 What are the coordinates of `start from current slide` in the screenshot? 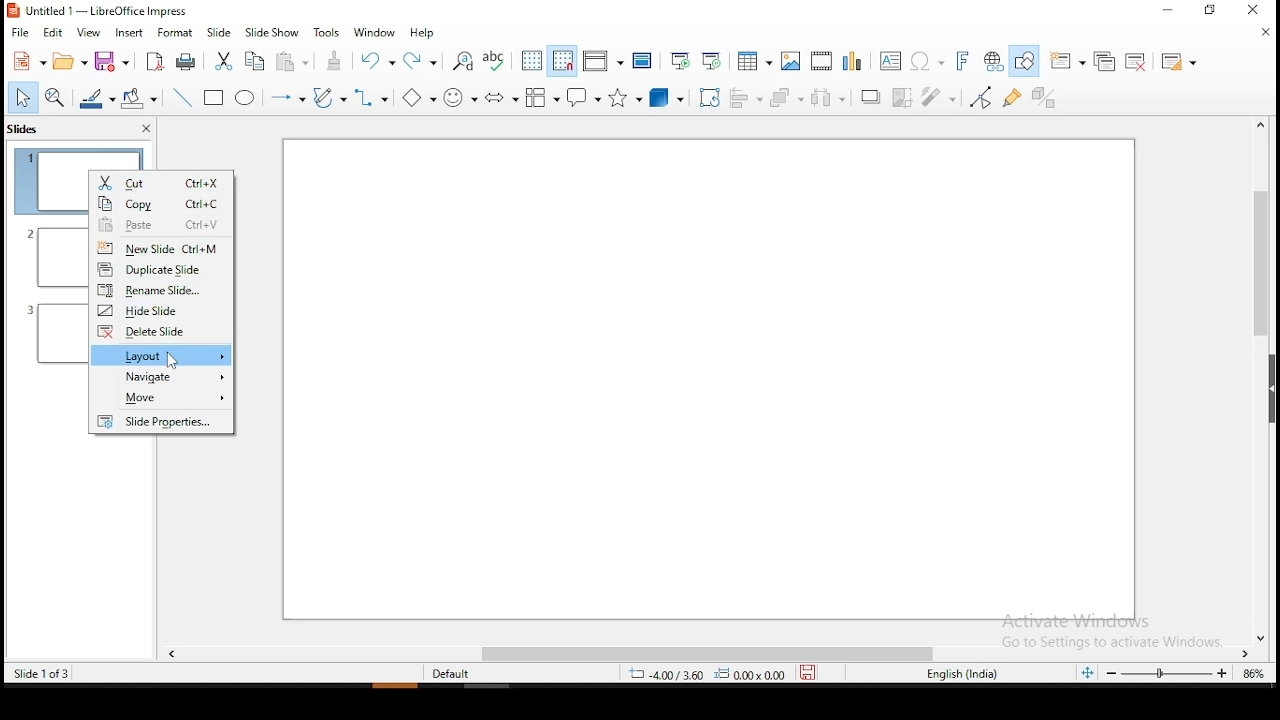 It's located at (714, 62).